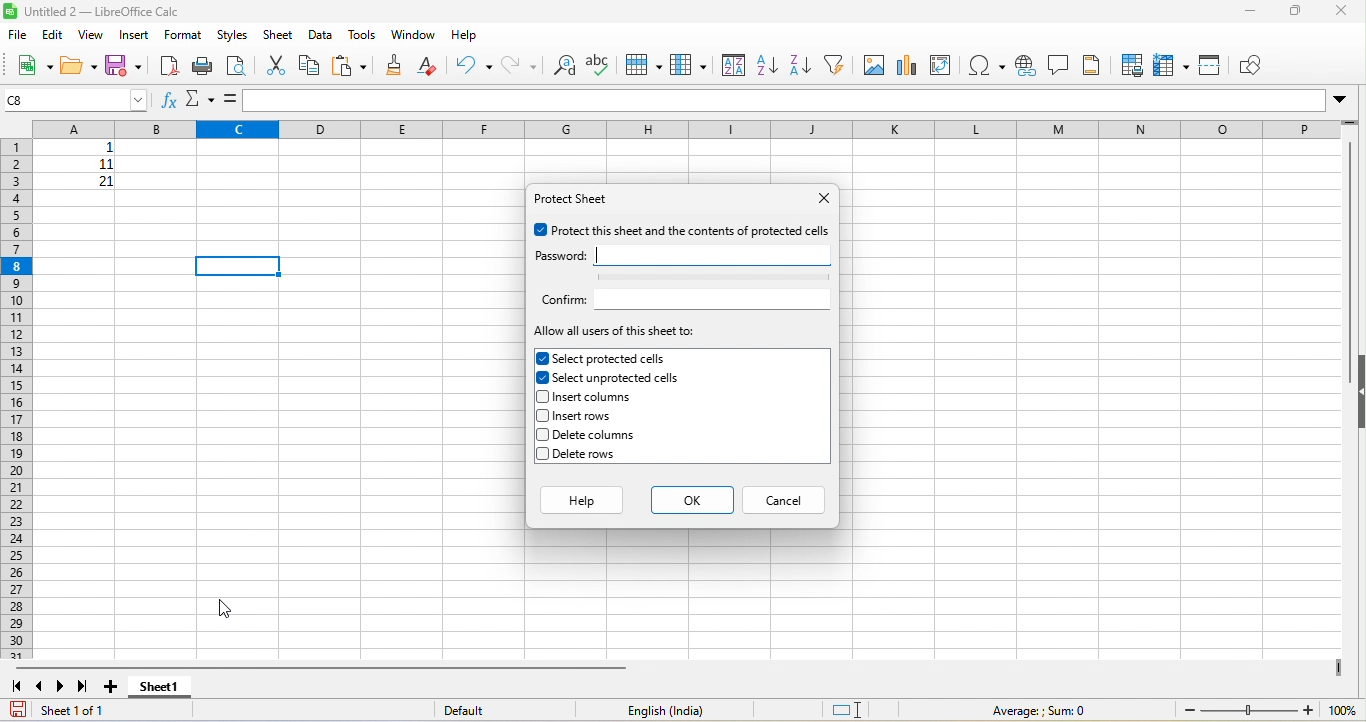 Image resolution: width=1366 pixels, height=722 pixels. What do you see at coordinates (230, 99) in the screenshot?
I see `=` at bounding box center [230, 99].